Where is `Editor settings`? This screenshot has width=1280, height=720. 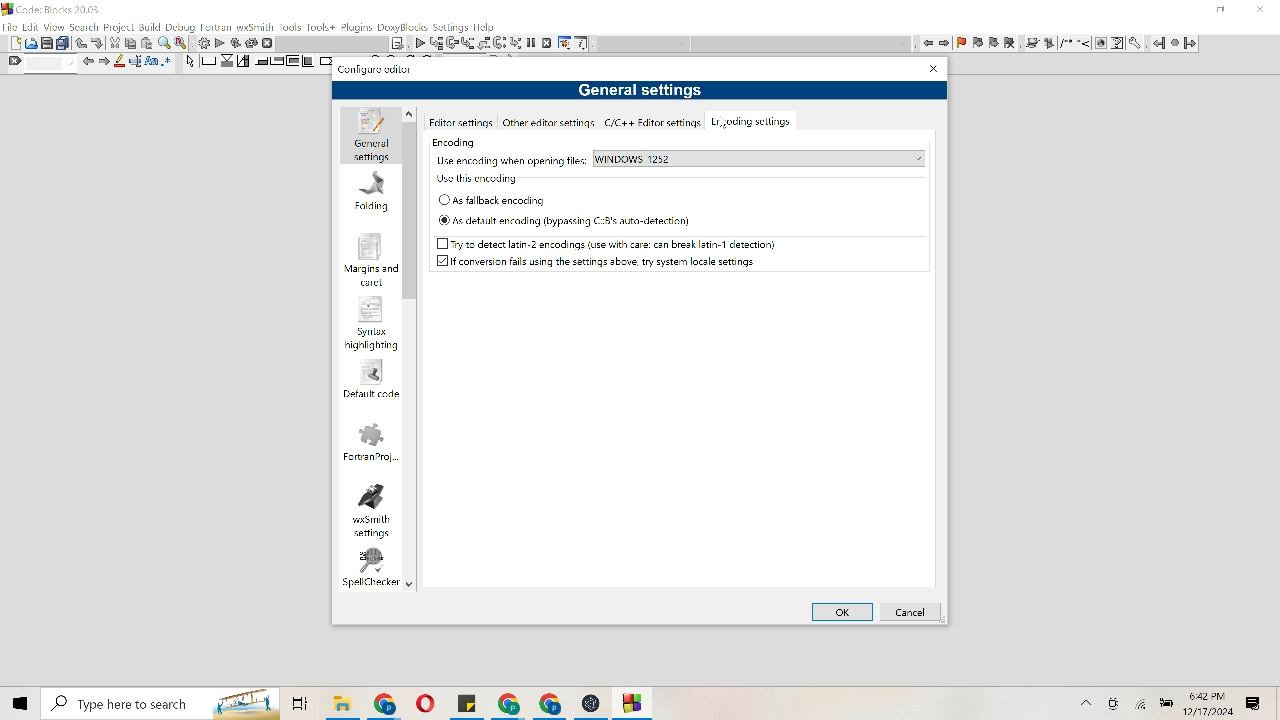
Editor settings is located at coordinates (462, 121).